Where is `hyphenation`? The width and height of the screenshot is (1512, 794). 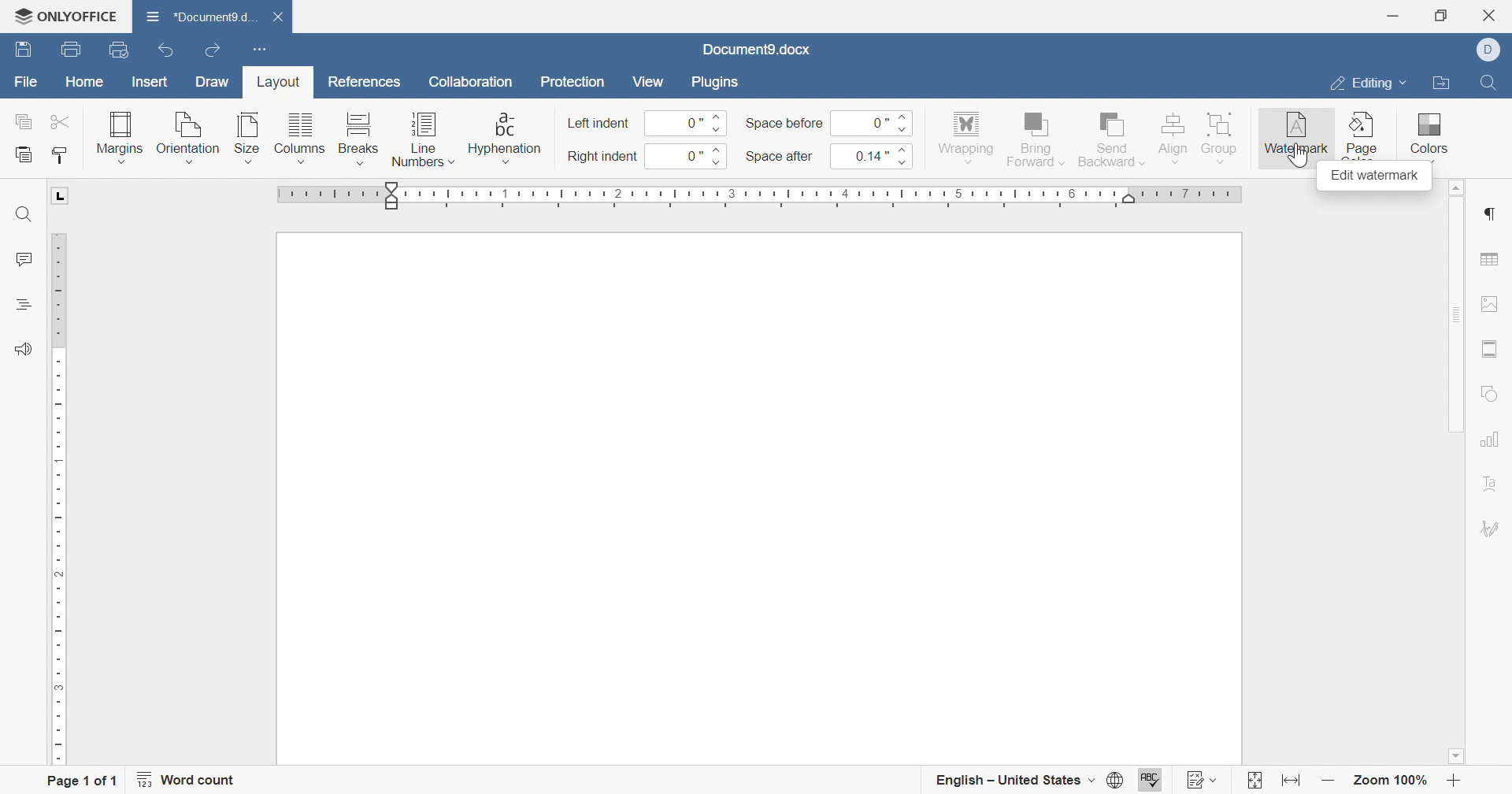 hyphenation is located at coordinates (504, 138).